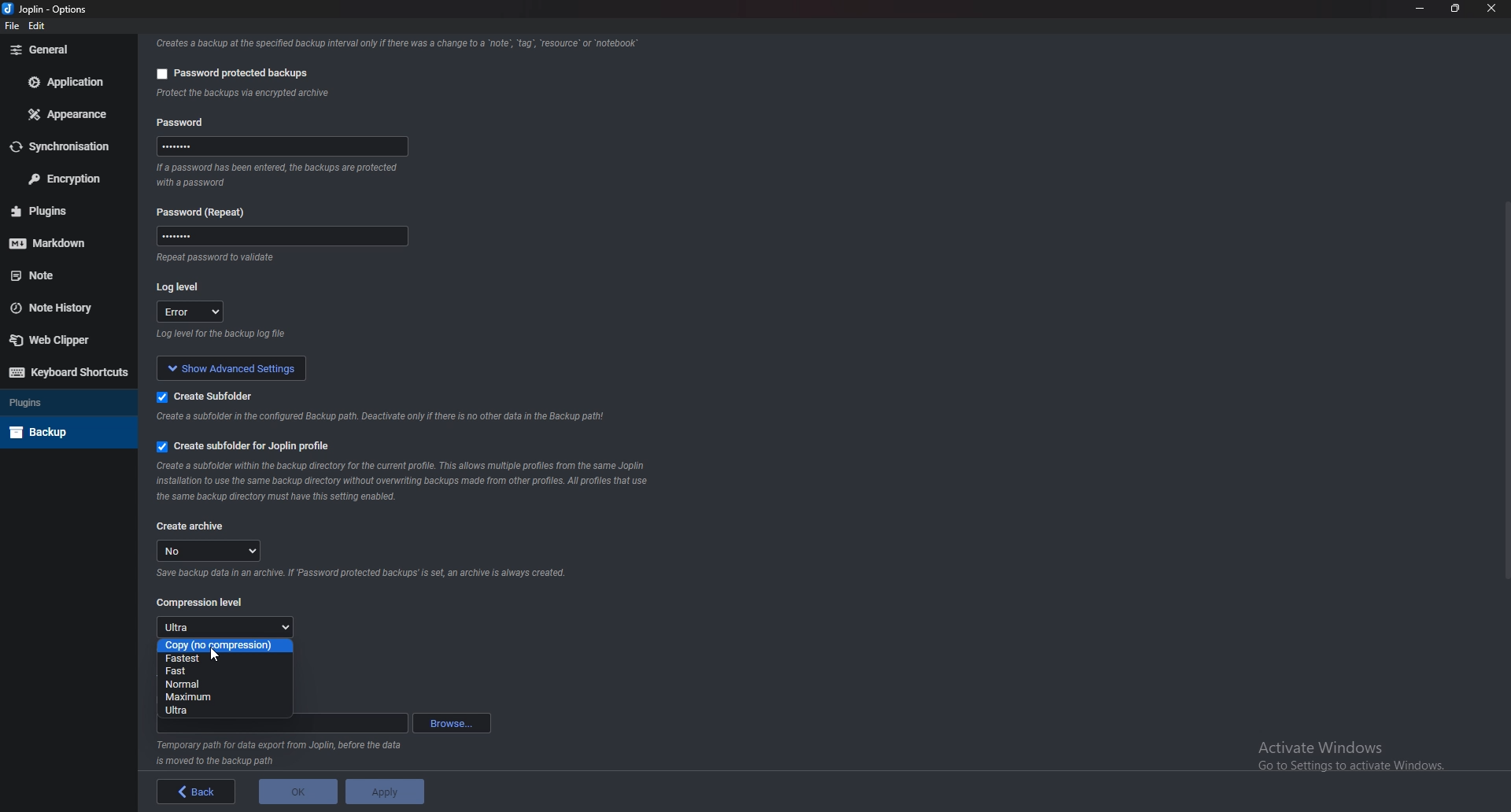  Describe the element at coordinates (208, 656) in the screenshot. I see `Fastest` at that location.